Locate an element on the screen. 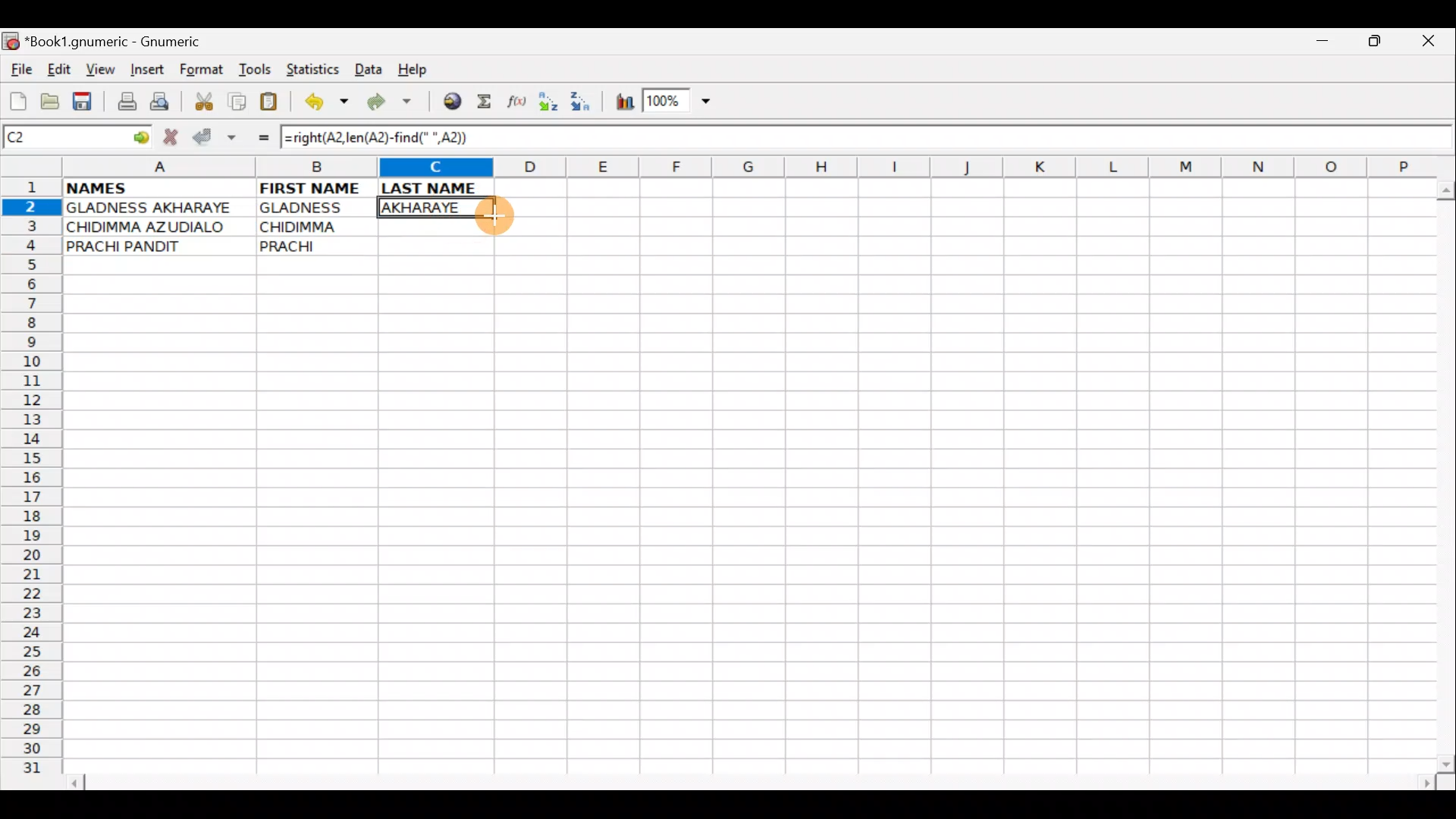  Columns is located at coordinates (741, 168).